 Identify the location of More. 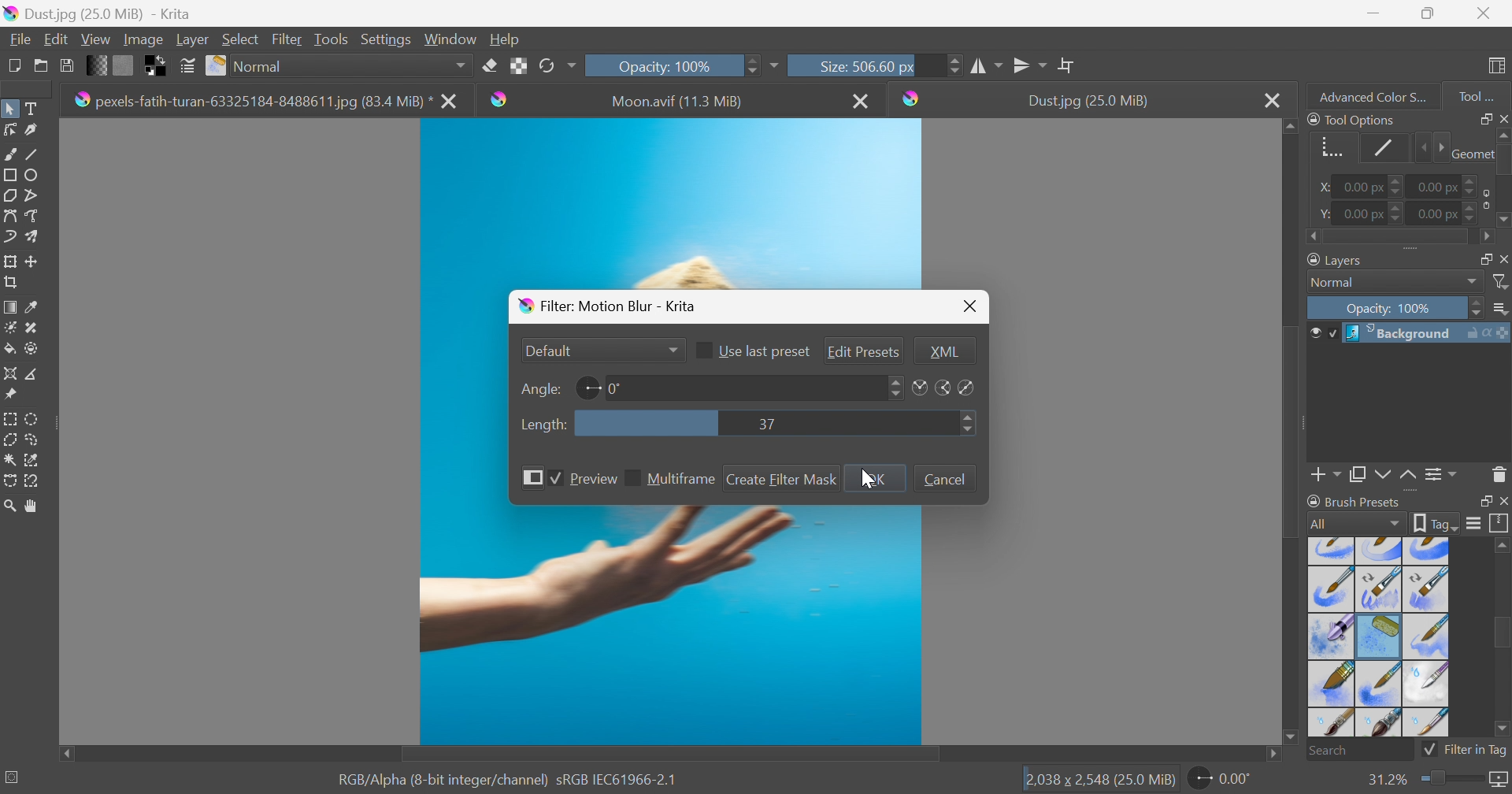
(528, 477).